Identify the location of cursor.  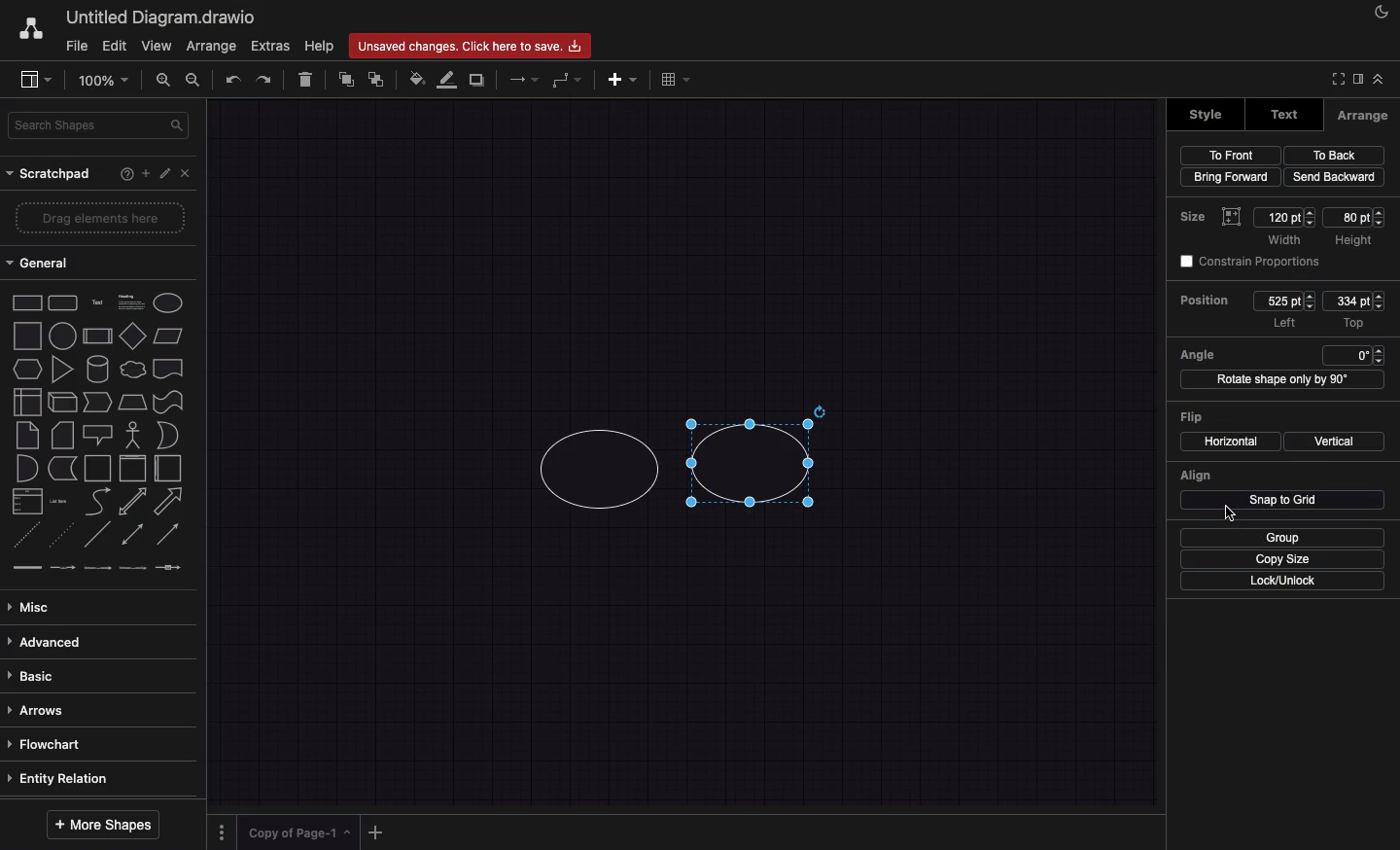
(1225, 514).